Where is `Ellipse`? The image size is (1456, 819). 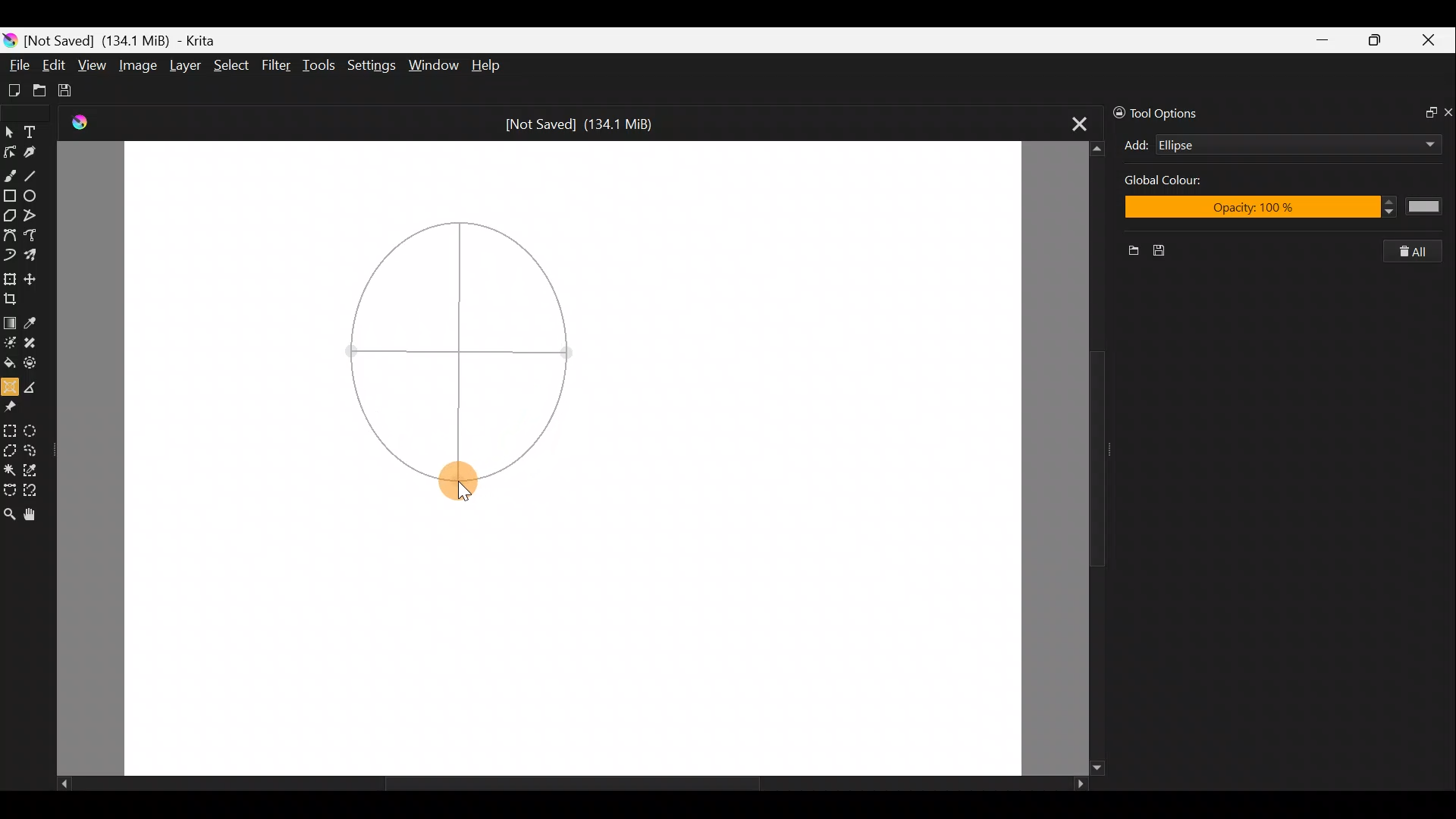
Ellipse is located at coordinates (1274, 145).